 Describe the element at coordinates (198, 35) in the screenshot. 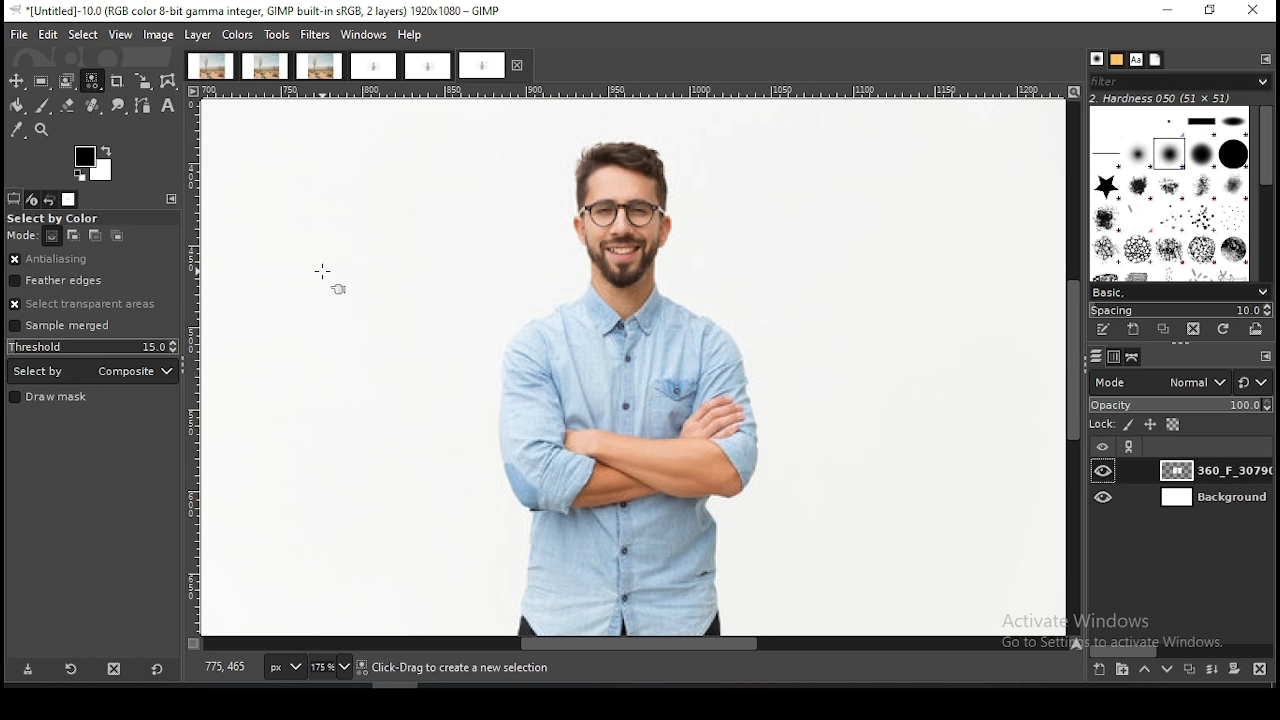

I see `layer` at that location.